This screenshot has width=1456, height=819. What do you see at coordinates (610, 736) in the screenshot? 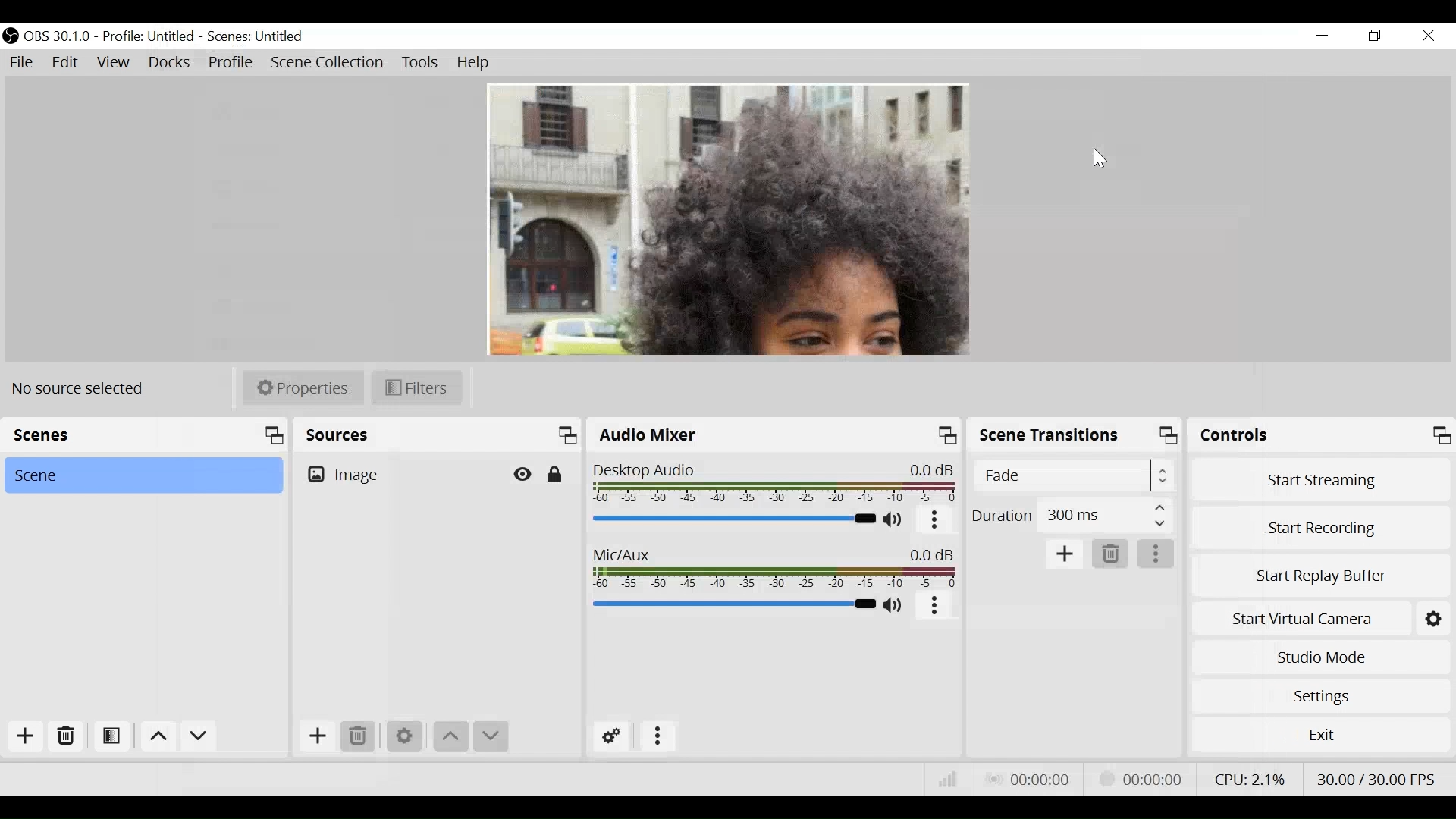
I see `Advanced Audio Settings` at bounding box center [610, 736].